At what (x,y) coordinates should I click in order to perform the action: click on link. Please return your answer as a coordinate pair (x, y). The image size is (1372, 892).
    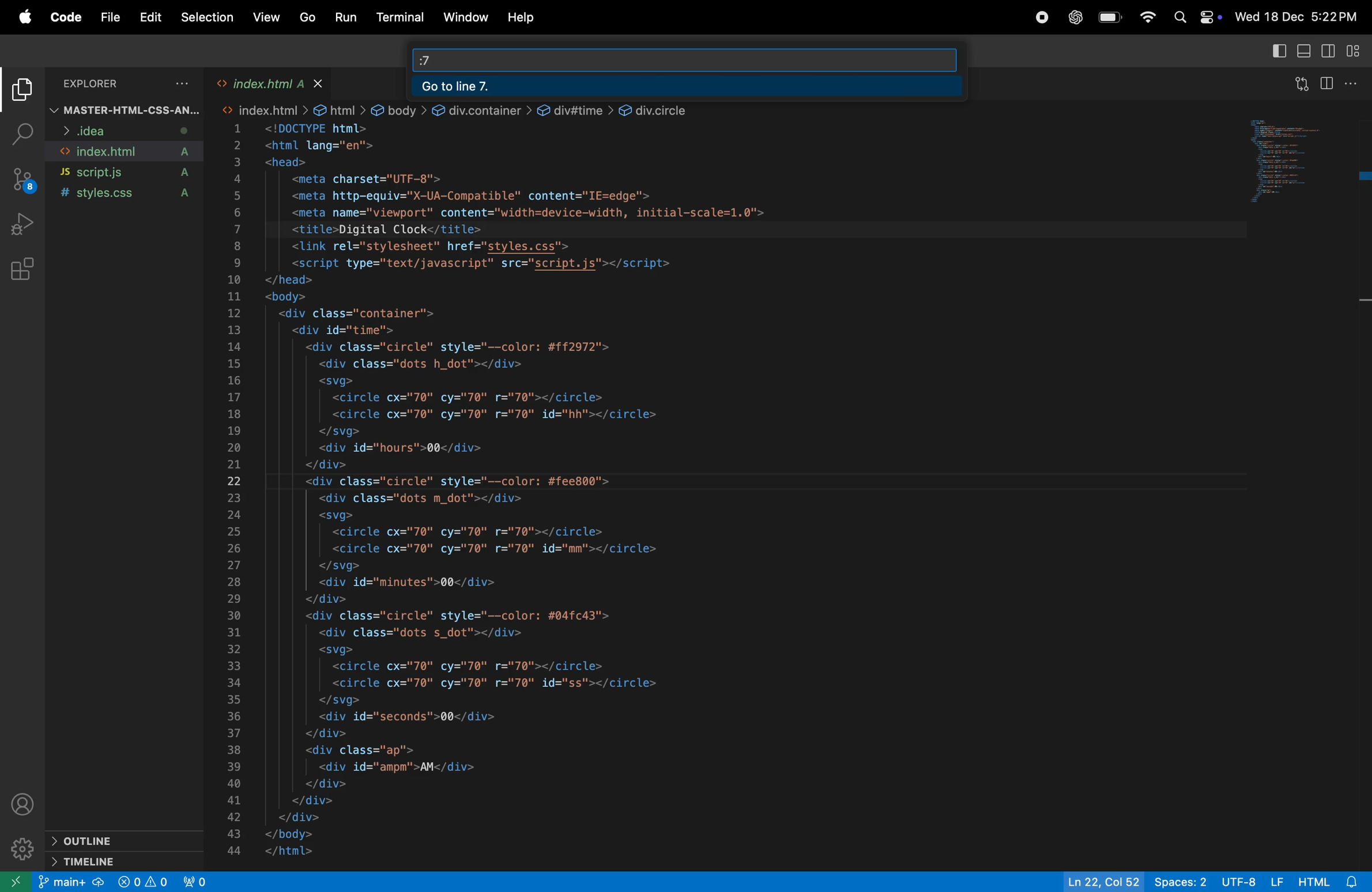
    Looking at the image, I should click on (576, 108).